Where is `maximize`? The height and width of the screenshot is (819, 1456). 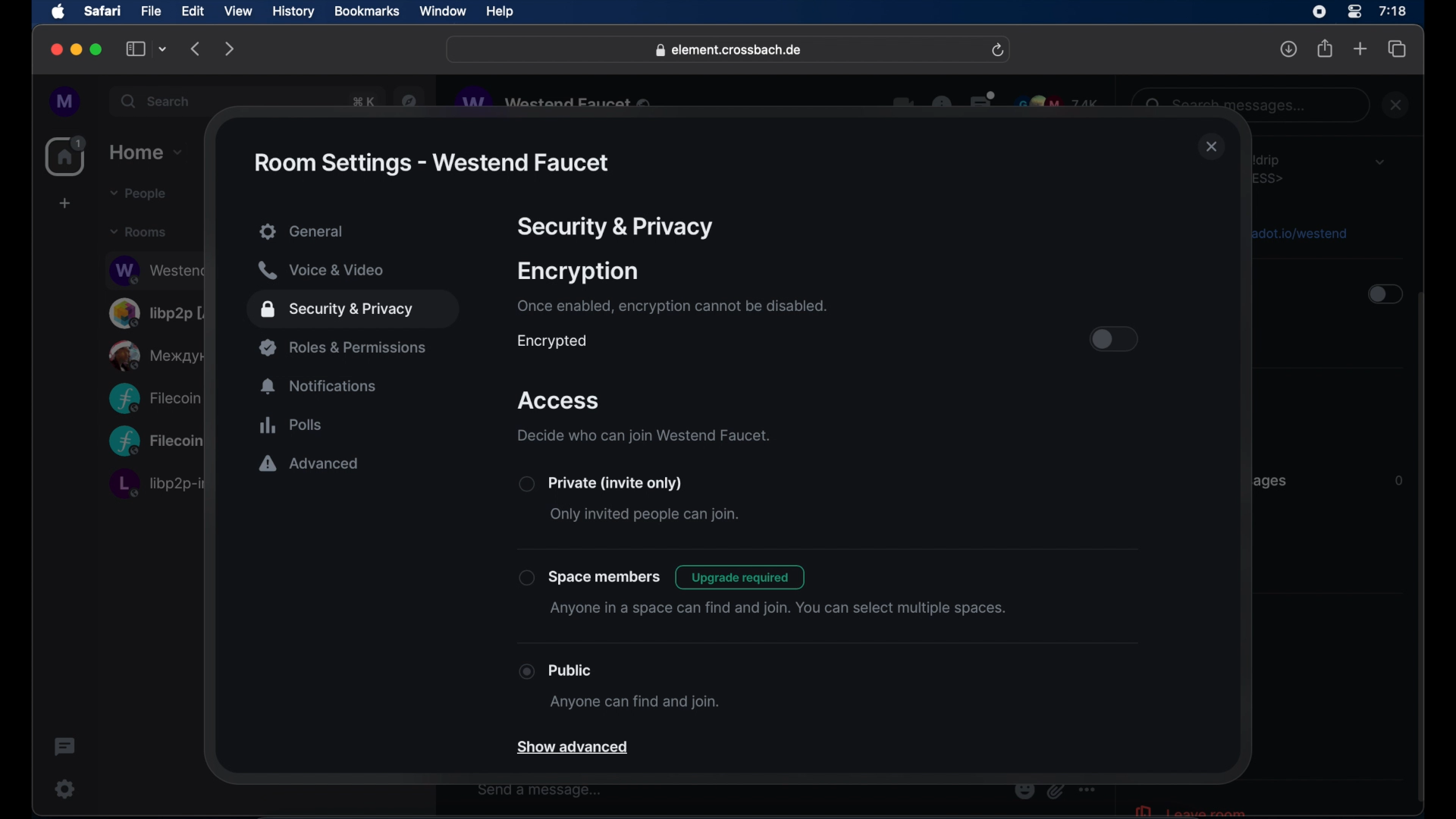
maximize is located at coordinates (98, 49).